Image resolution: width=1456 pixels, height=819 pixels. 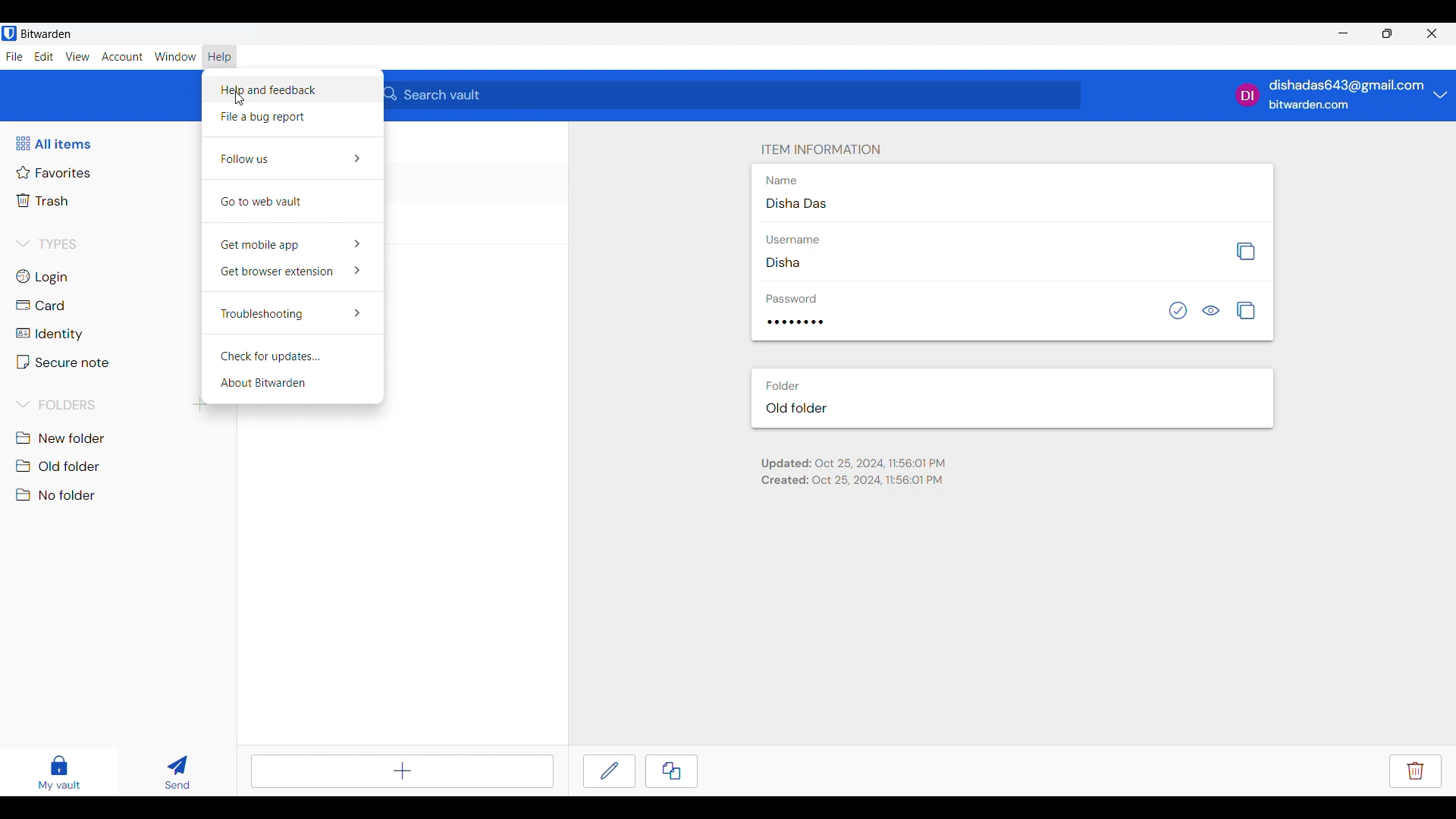 What do you see at coordinates (57, 494) in the screenshot?
I see `No folder` at bounding box center [57, 494].